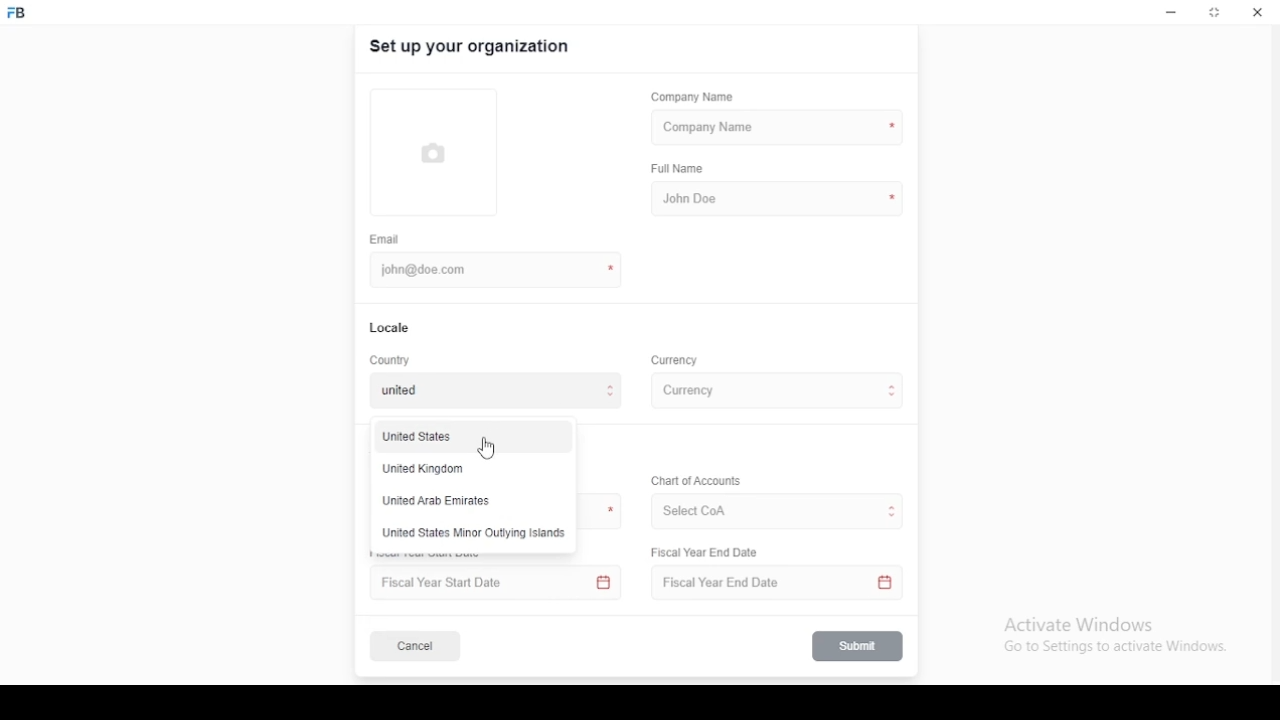 Image resolution: width=1280 pixels, height=720 pixels. I want to click on Fiscal Year Start Date, so click(496, 582).